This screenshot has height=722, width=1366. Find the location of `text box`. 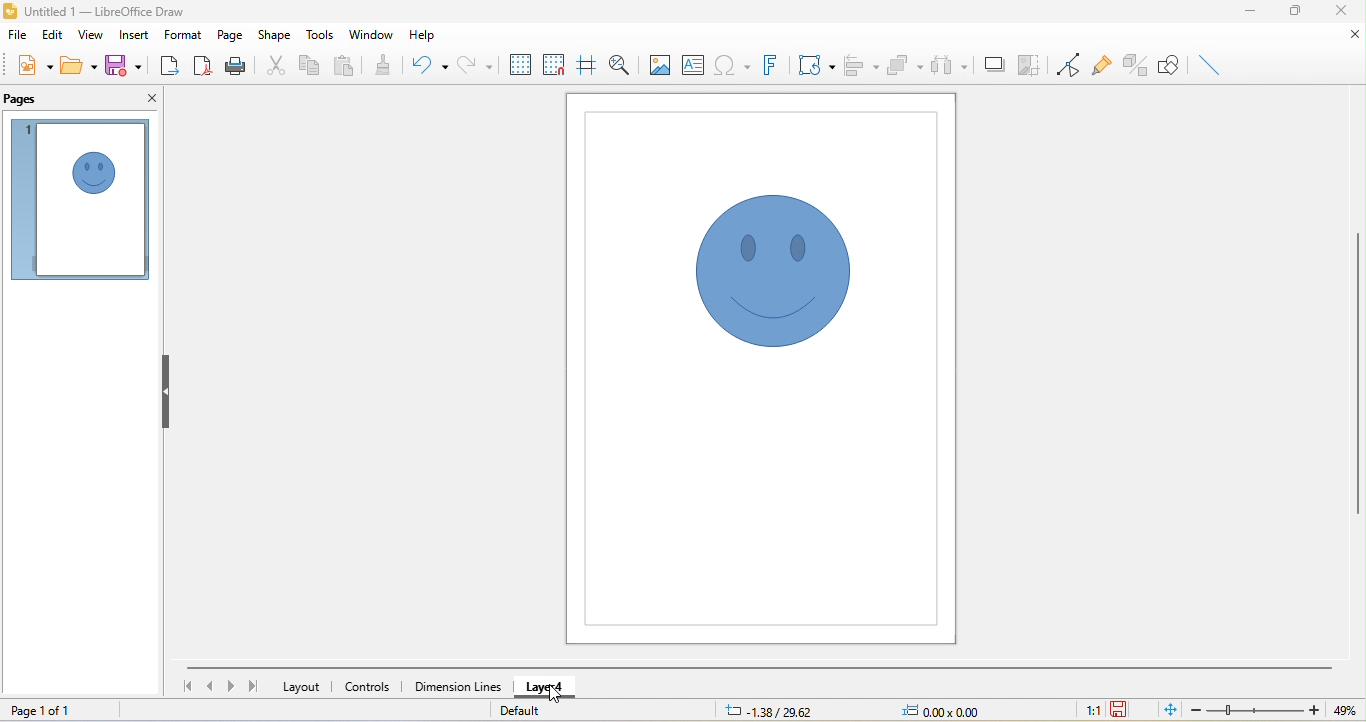

text box is located at coordinates (695, 63).